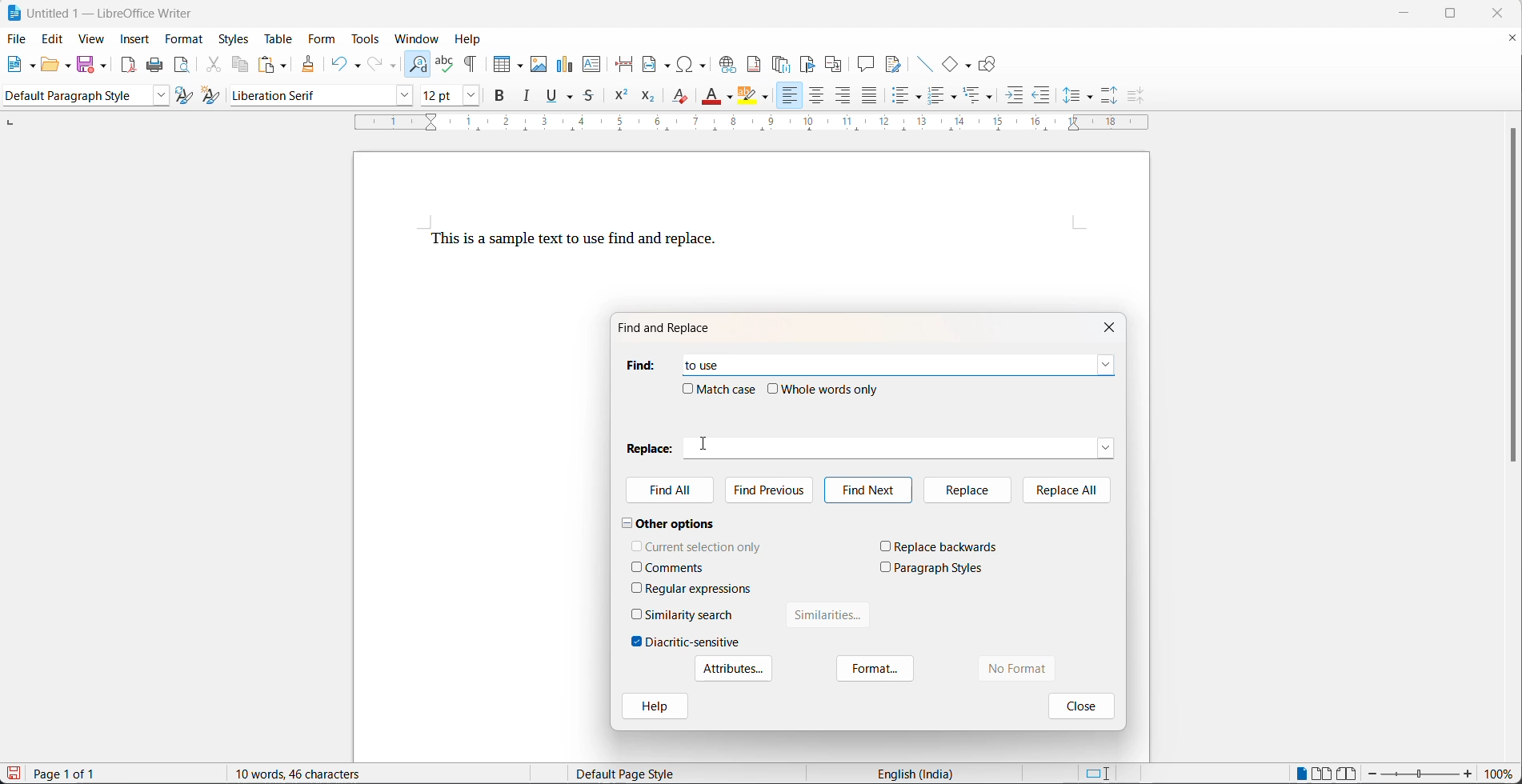 Image resolution: width=1522 pixels, height=784 pixels. I want to click on find and replace, so click(419, 62).